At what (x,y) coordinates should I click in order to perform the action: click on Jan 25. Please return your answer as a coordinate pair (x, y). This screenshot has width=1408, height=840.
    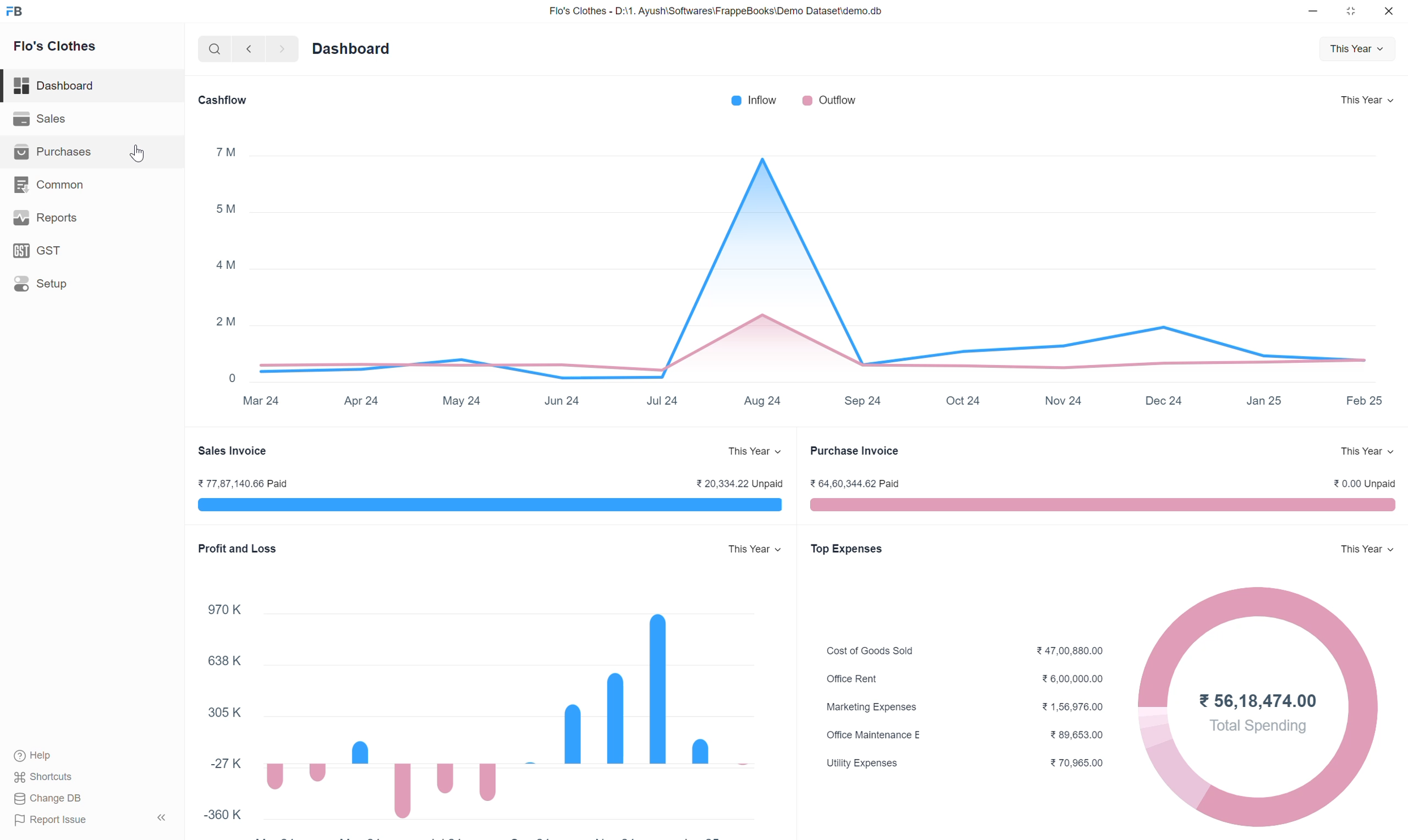
    Looking at the image, I should click on (1265, 400).